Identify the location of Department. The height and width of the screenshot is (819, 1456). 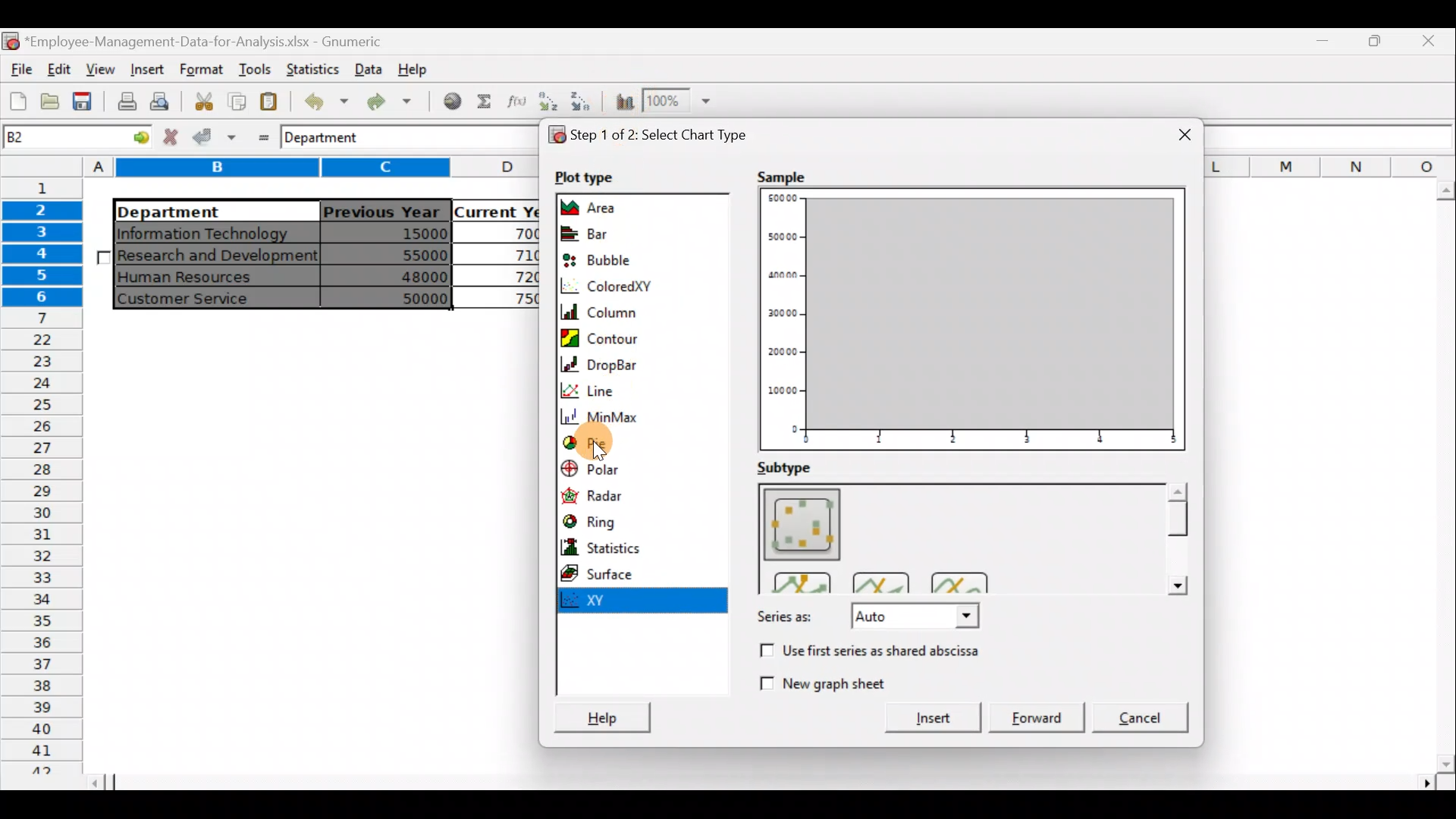
(206, 211).